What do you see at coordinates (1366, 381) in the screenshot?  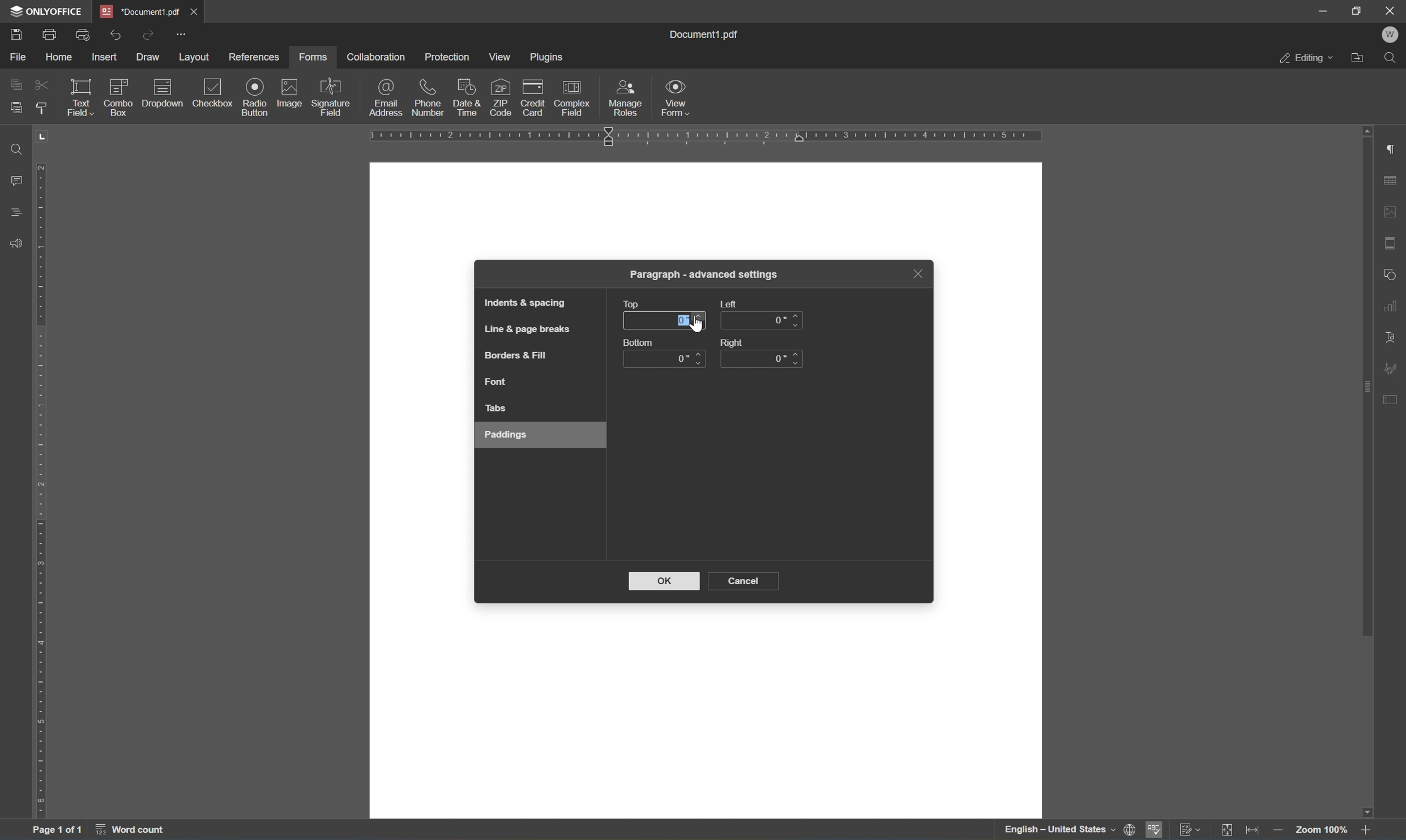 I see `scroll bar` at bounding box center [1366, 381].